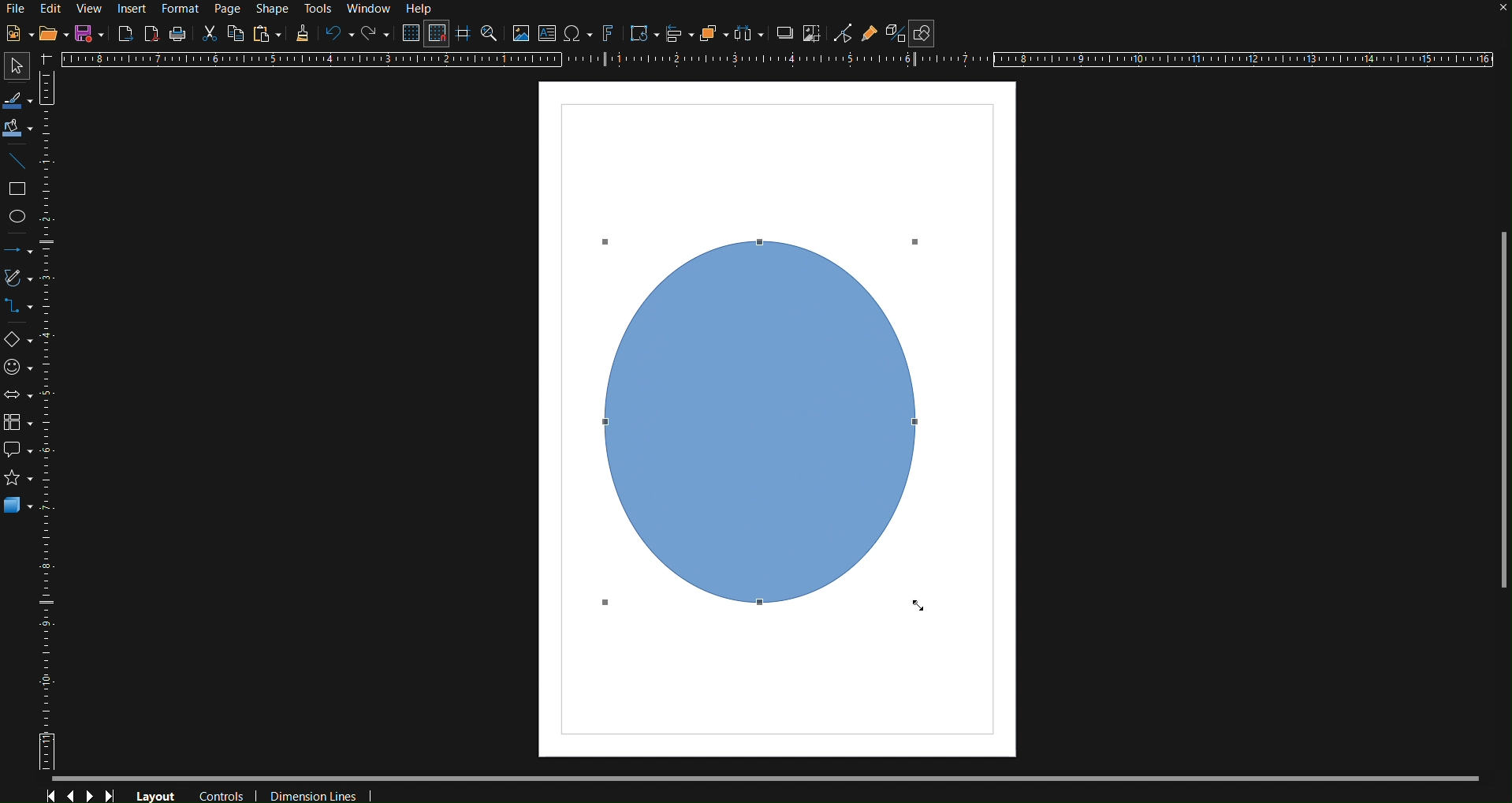 The width and height of the screenshot is (1512, 803). What do you see at coordinates (22, 342) in the screenshot?
I see `Basic Shapes` at bounding box center [22, 342].